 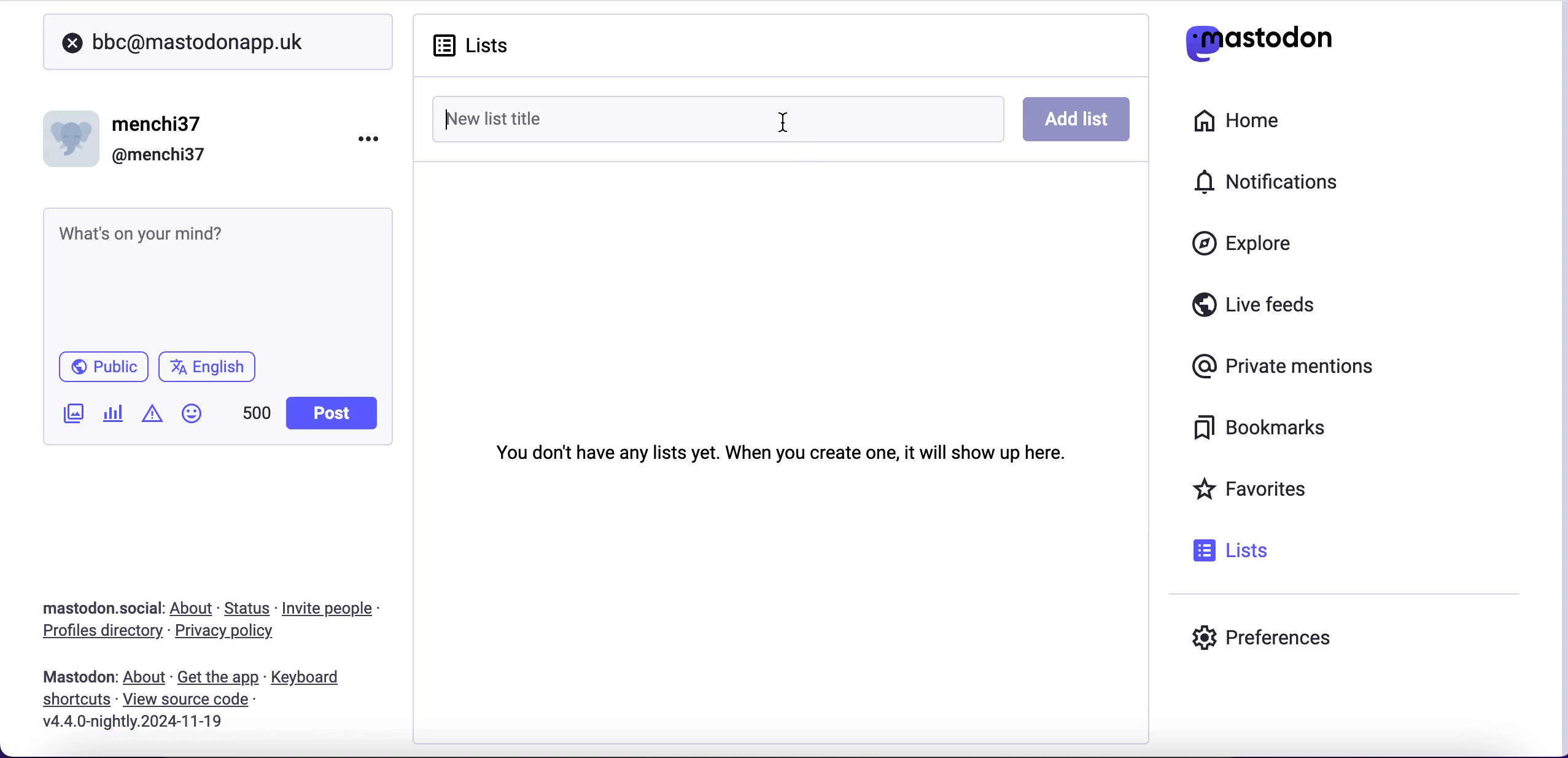 I want to click on add an image, so click(x=72, y=413).